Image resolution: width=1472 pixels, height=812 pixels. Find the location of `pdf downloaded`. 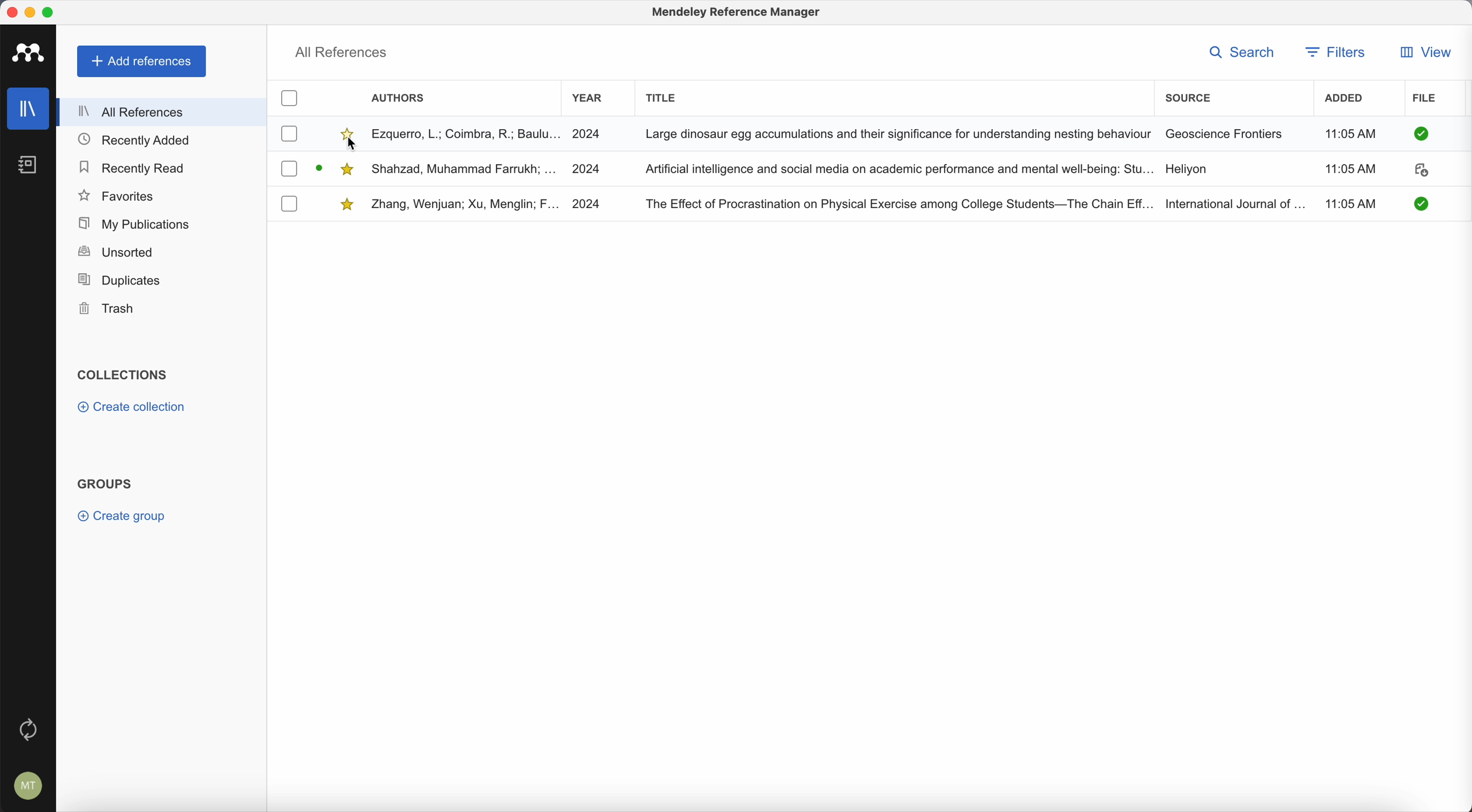

pdf downloaded is located at coordinates (1419, 134).